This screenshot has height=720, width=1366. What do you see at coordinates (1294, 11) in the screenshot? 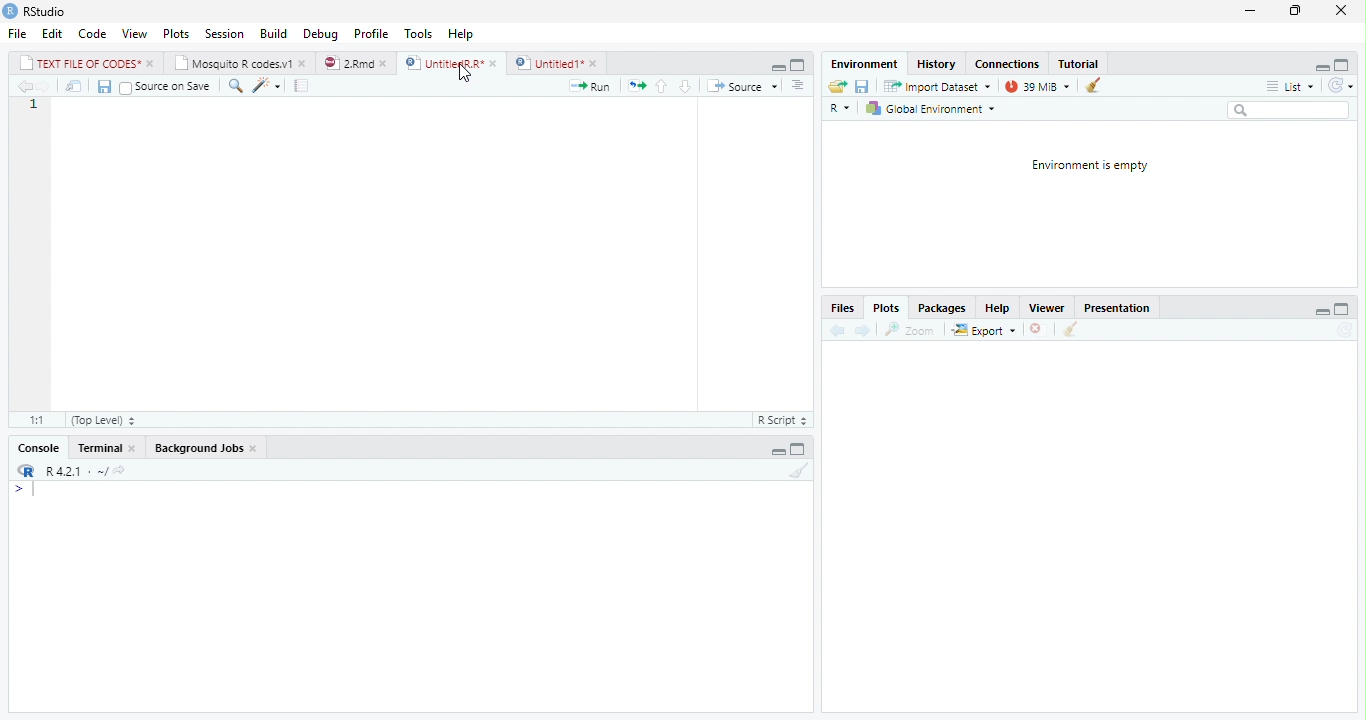
I see `Restore Down` at bounding box center [1294, 11].